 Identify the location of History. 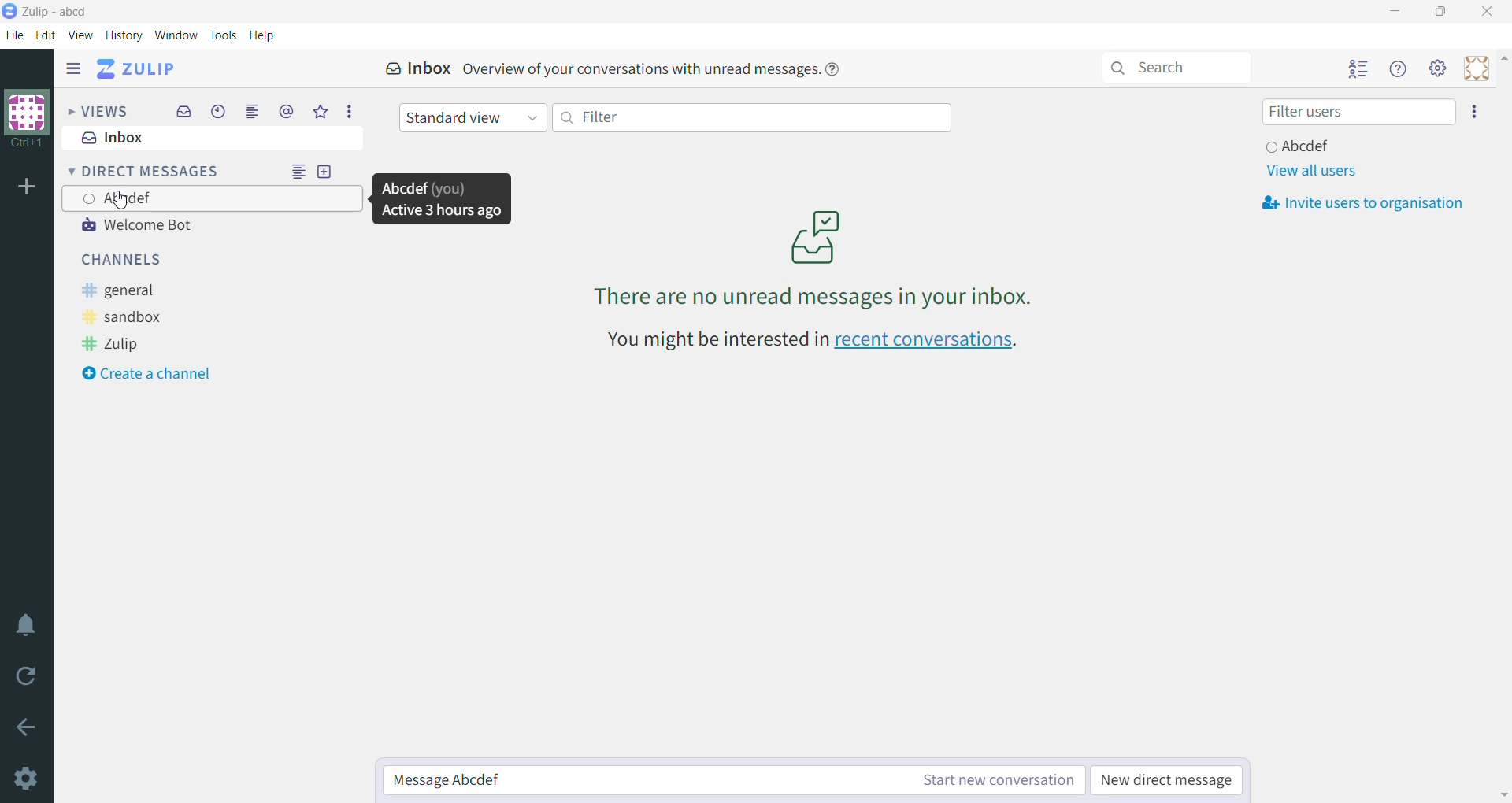
(124, 35).